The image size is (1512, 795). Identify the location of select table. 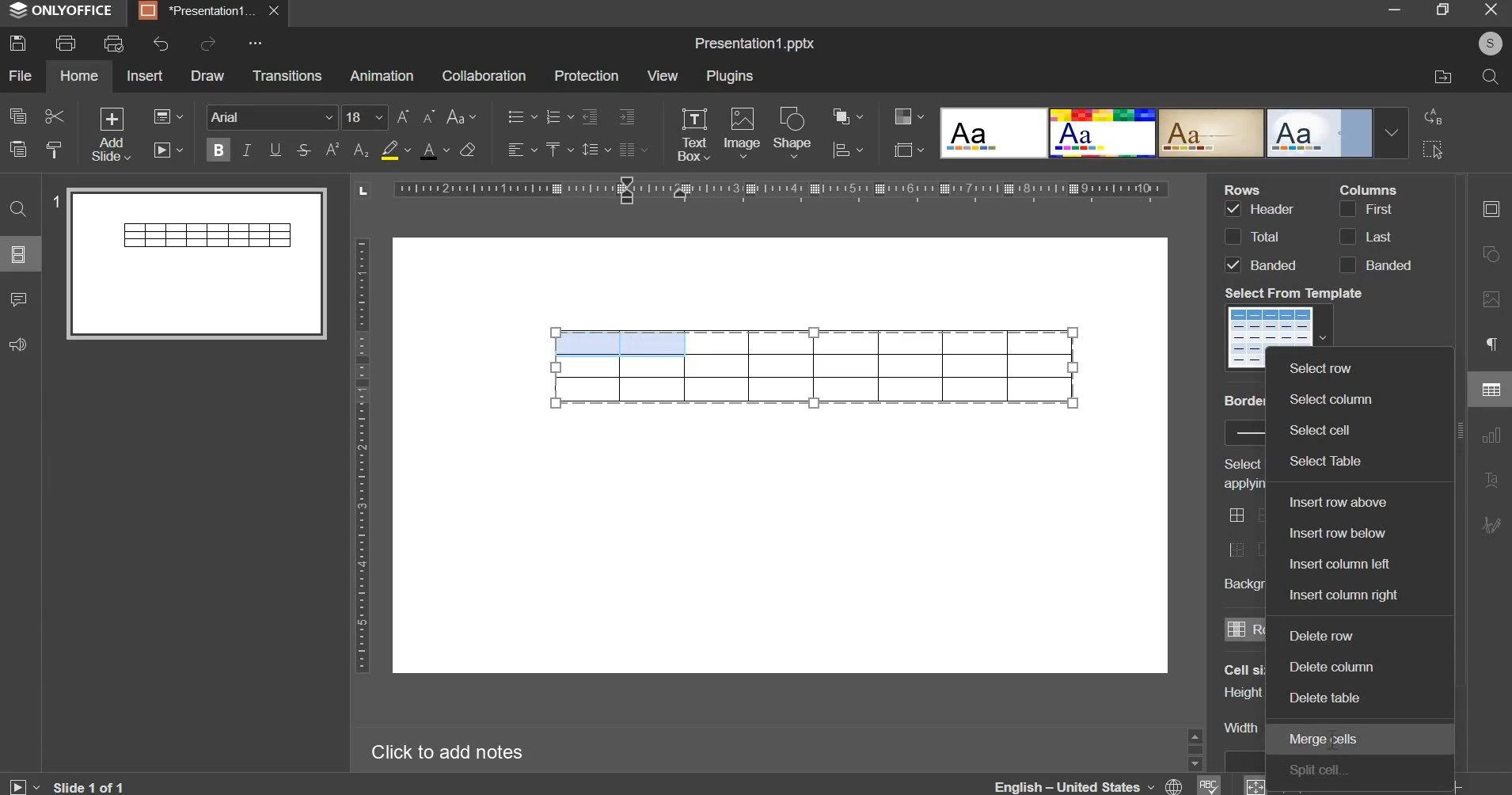
(1327, 458).